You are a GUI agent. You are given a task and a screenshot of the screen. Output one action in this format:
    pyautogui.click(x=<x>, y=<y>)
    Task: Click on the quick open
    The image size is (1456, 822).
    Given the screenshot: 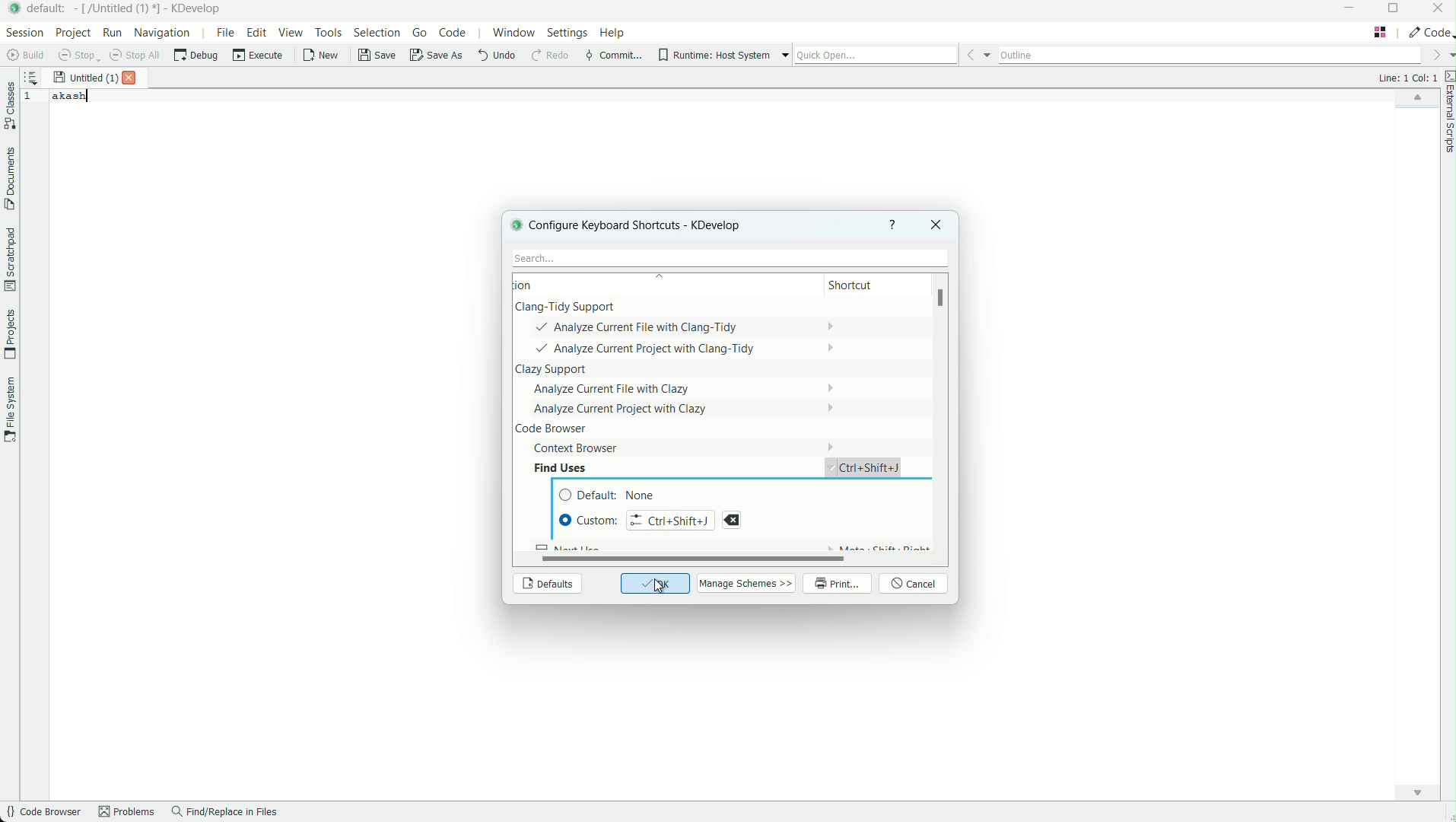 What is the action you would take?
    pyautogui.click(x=876, y=56)
    